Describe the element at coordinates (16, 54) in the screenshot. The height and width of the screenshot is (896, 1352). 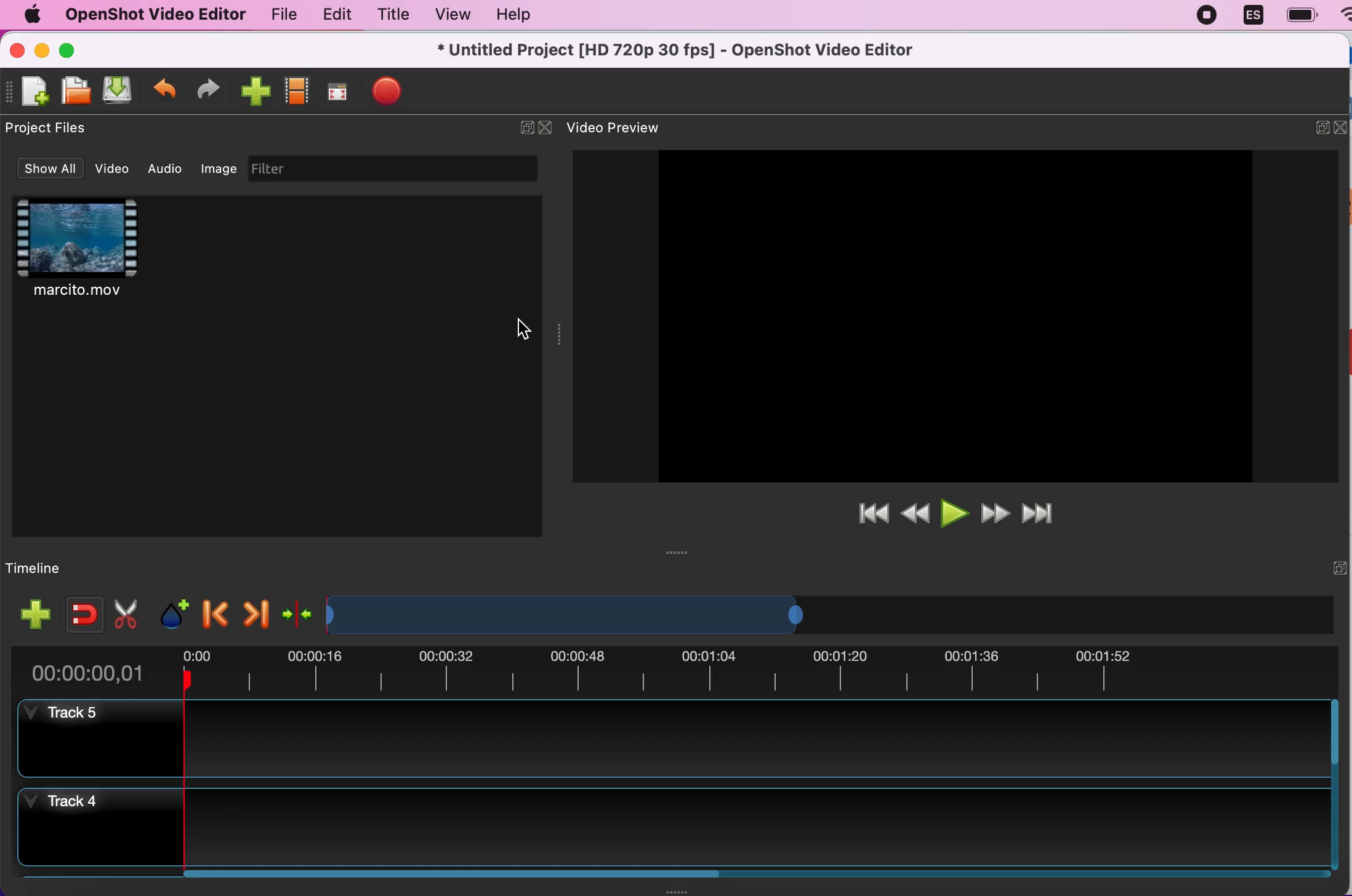
I see `close` at that location.